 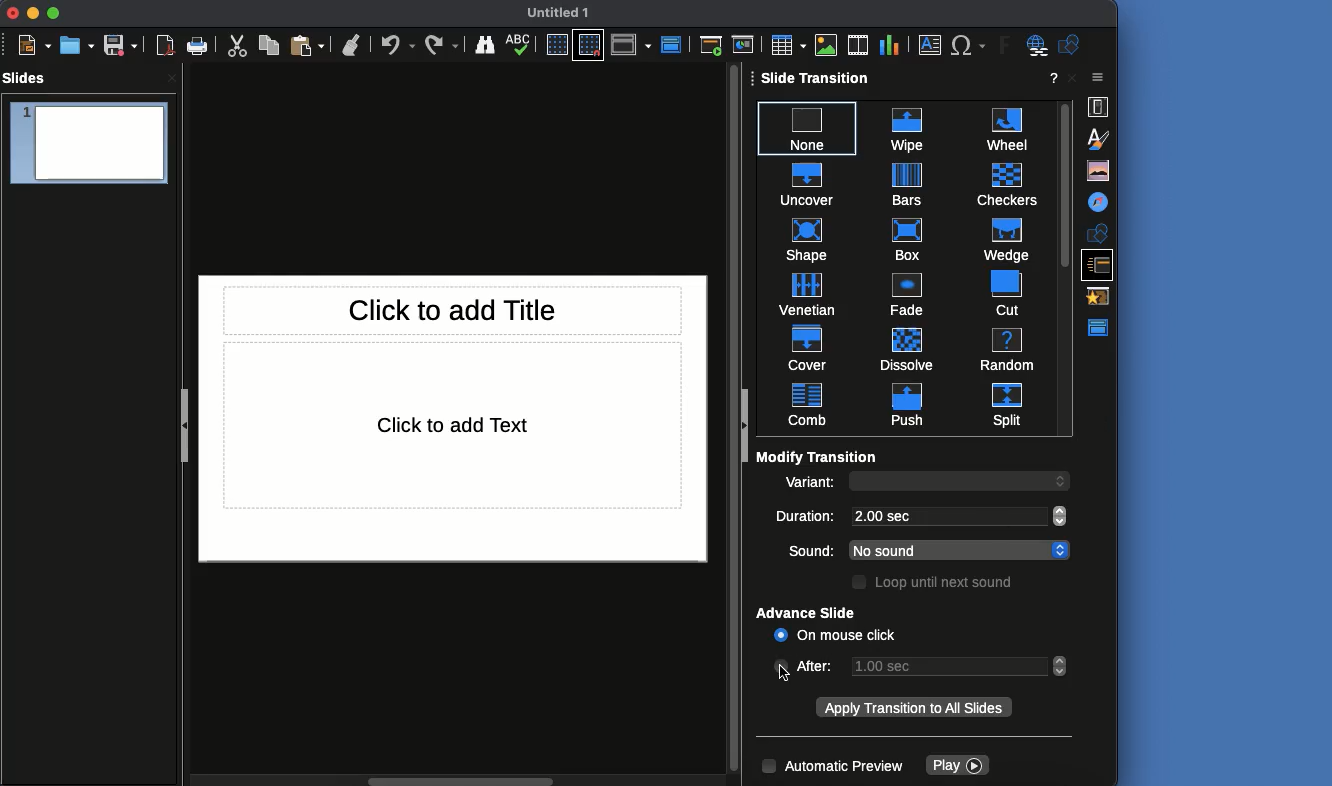 What do you see at coordinates (1071, 44) in the screenshot?
I see `Shapes` at bounding box center [1071, 44].